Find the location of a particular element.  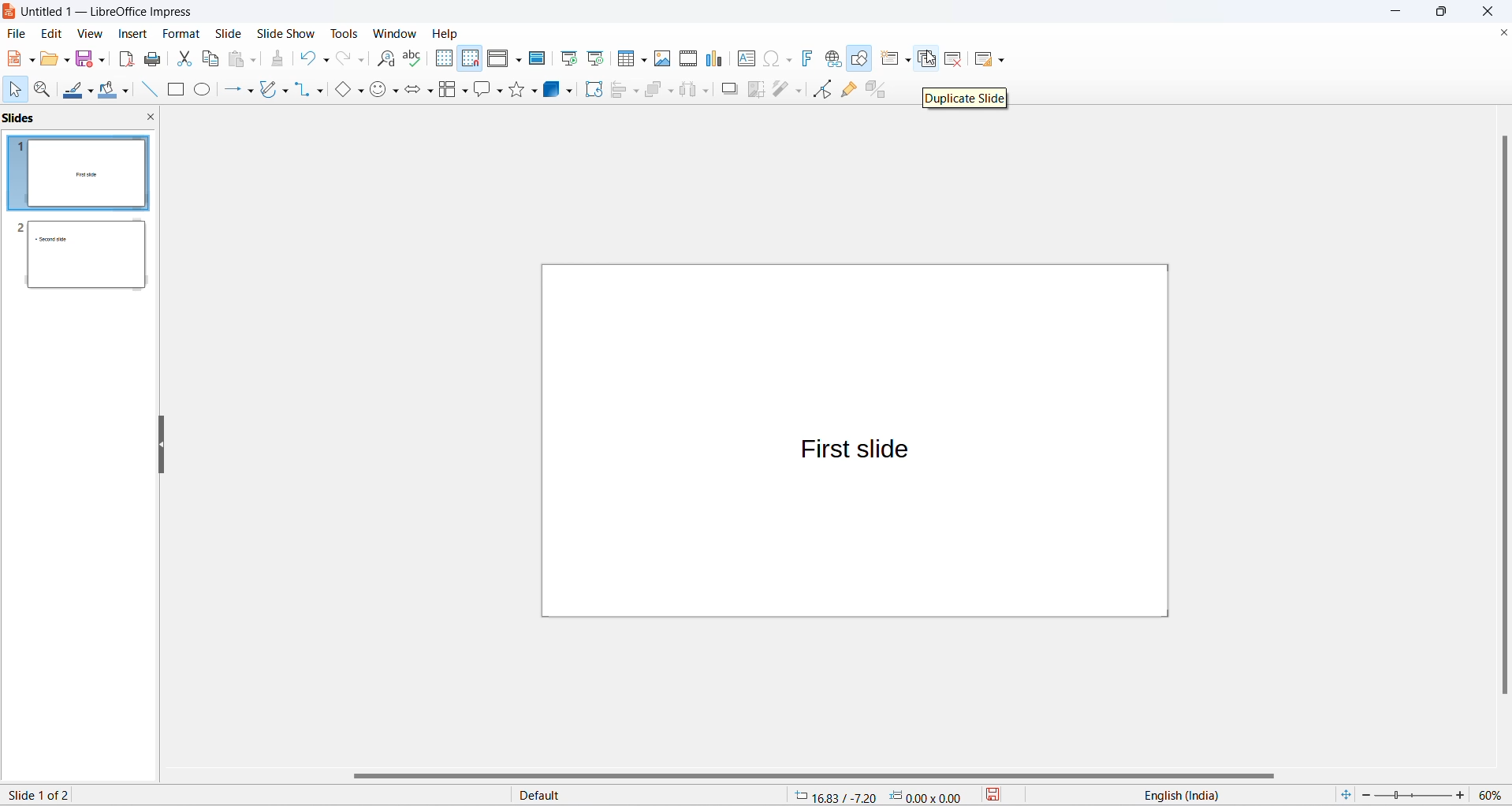

paste is located at coordinates (238, 57).